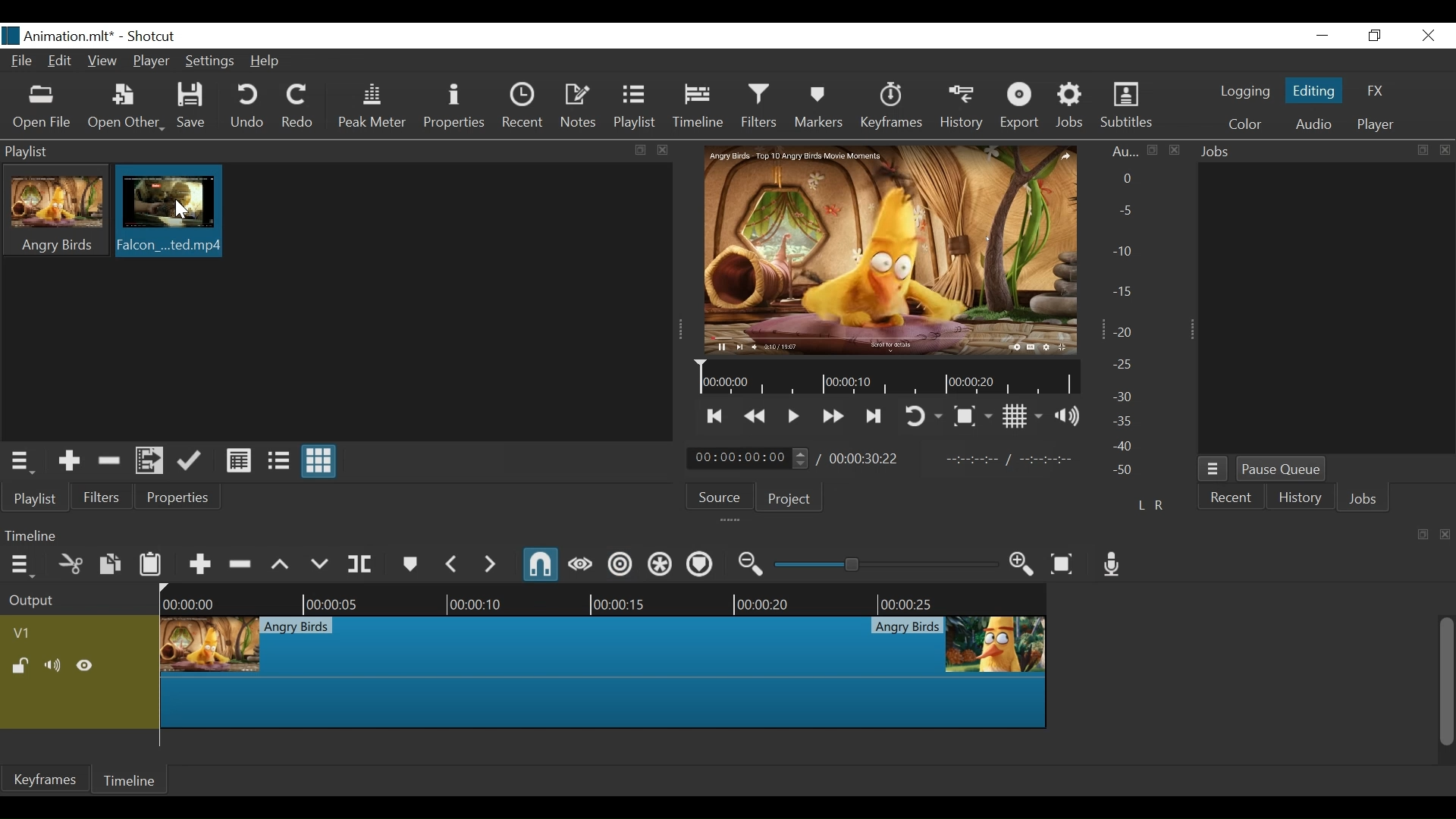 This screenshot has width=1456, height=819. Describe the element at coordinates (1375, 125) in the screenshot. I see `Player` at that location.